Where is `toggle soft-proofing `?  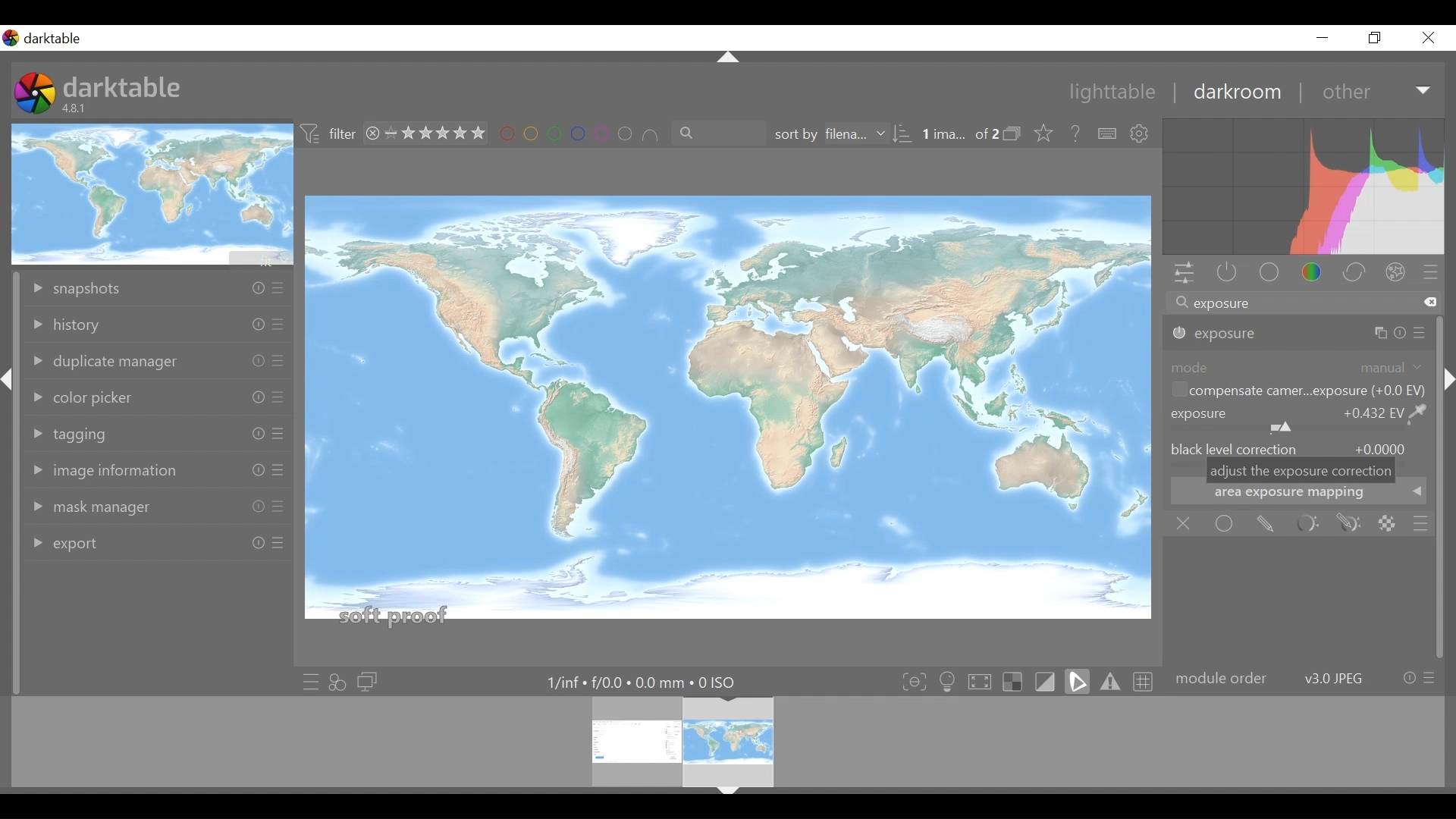
toggle soft-proofing  is located at coordinates (1078, 681).